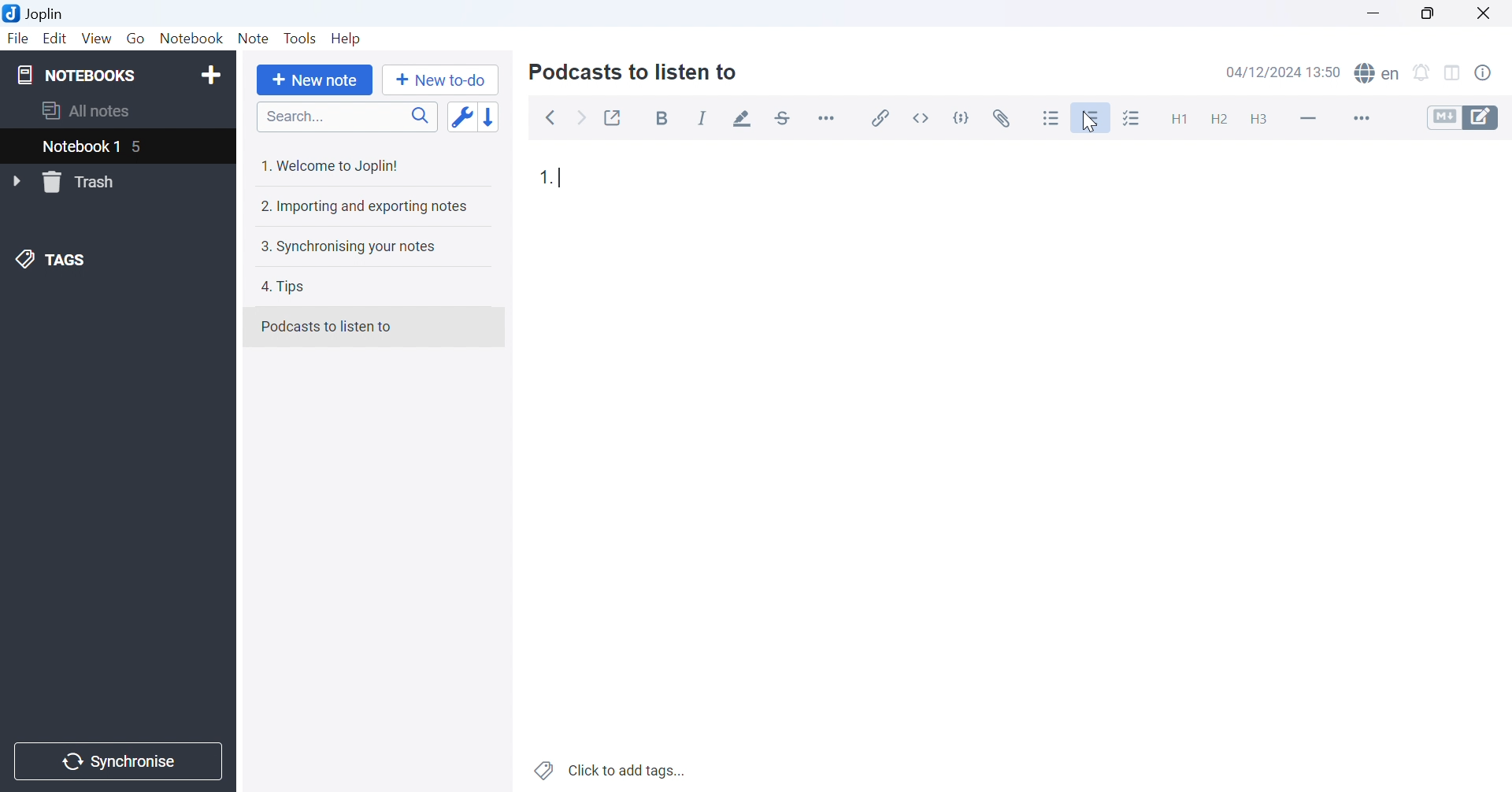 Image resolution: width=1512 pixels, height=792 pixels. Describe the element at coordinates (1359, 117) in the screenshot. I see `More` at that location.